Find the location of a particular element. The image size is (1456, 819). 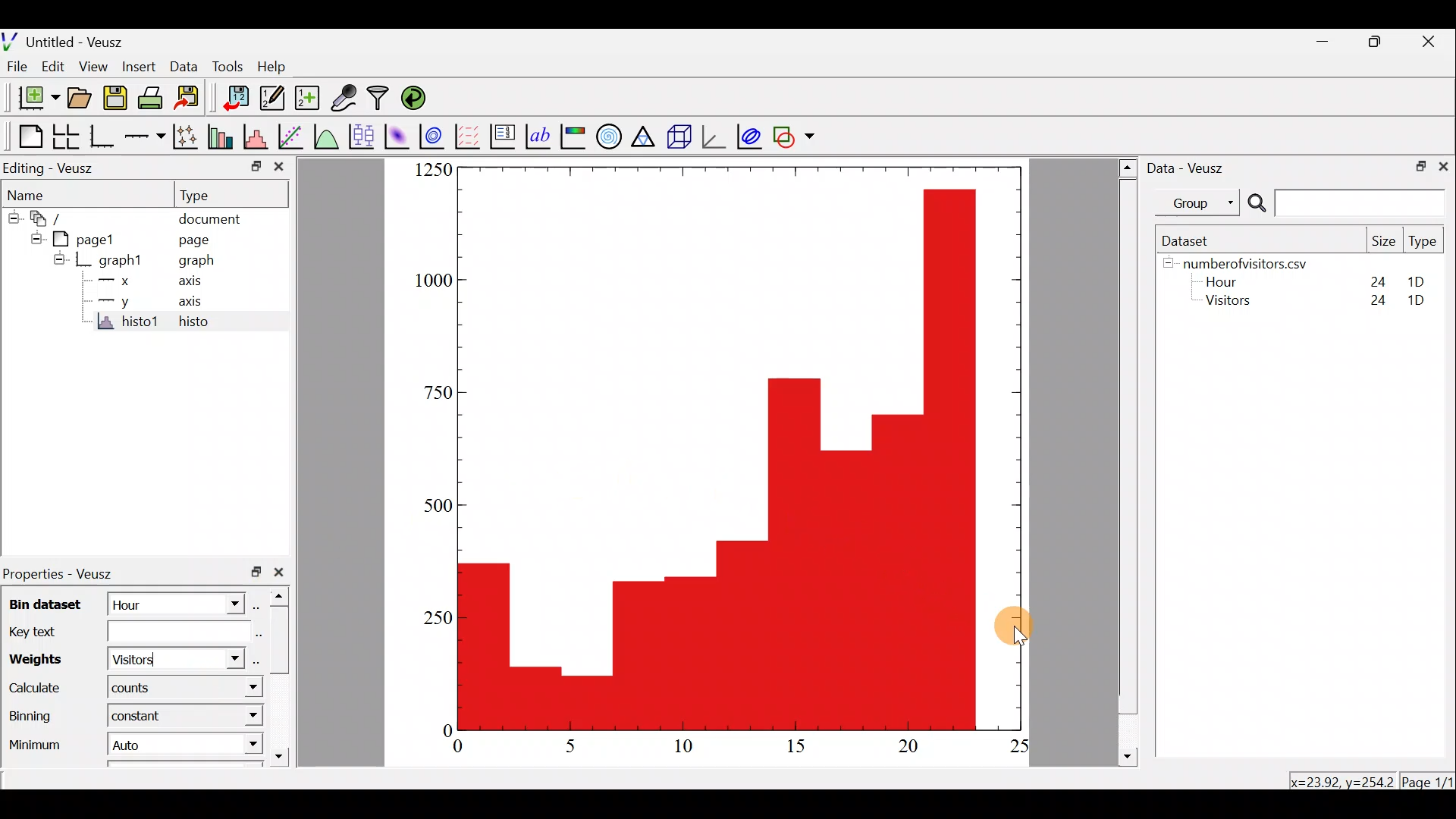

Properties - Veusz is located at coordinates (60, 575).